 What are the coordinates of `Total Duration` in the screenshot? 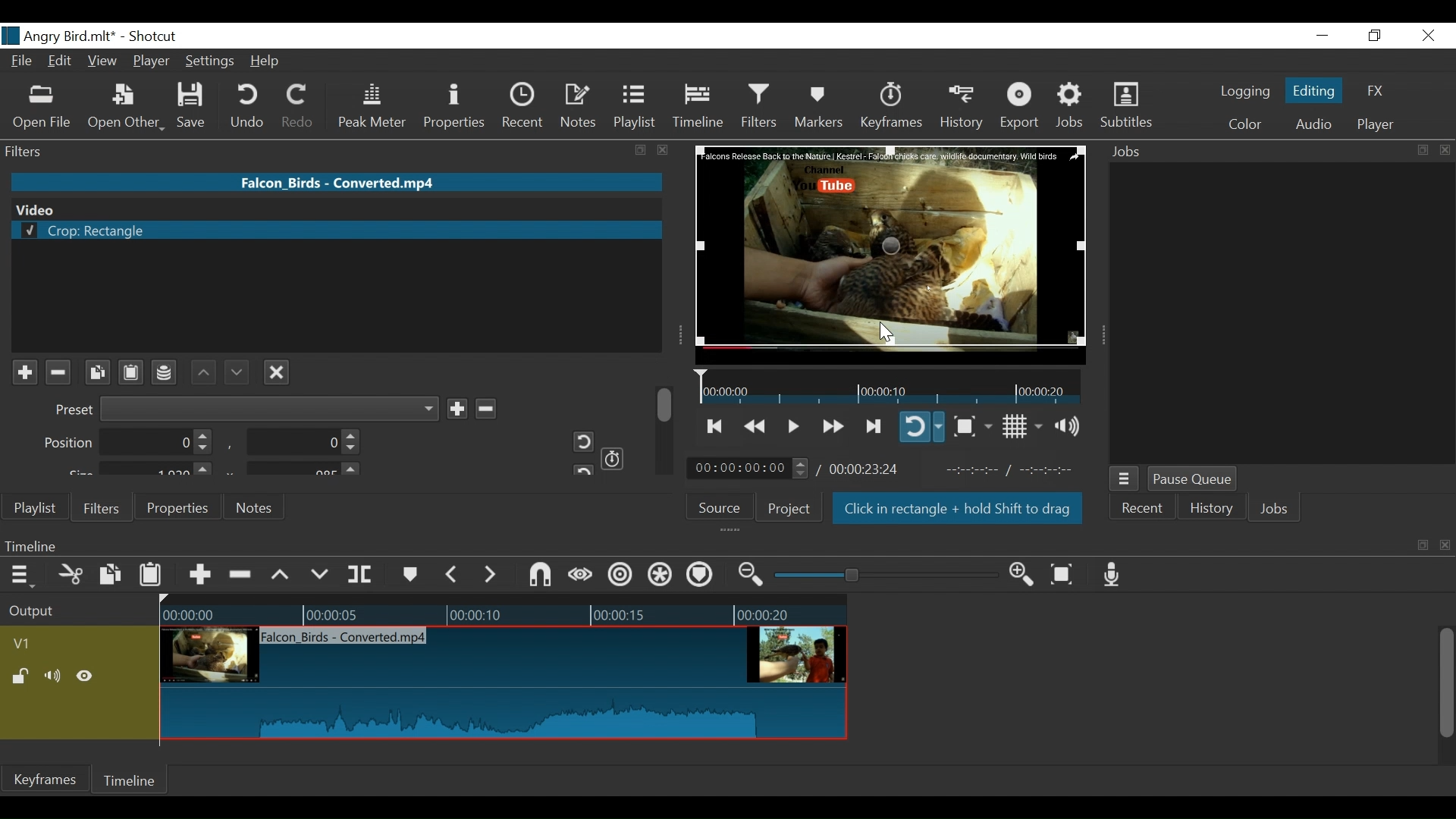 It's located at (866, 469).